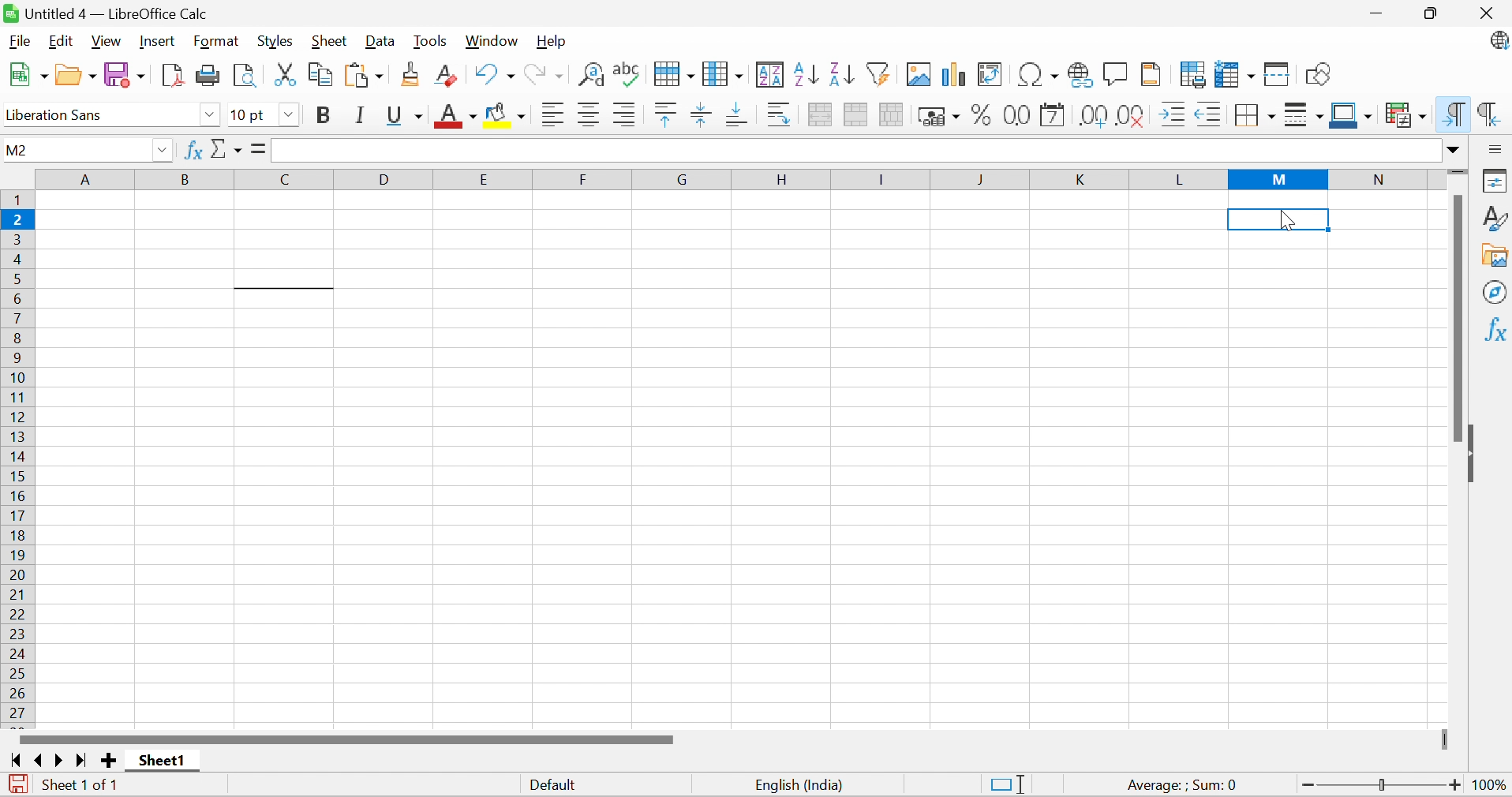  Describe the element at coordinates (39, 759) in the screenshot. I see `Scroll to previous sheet` at that location.